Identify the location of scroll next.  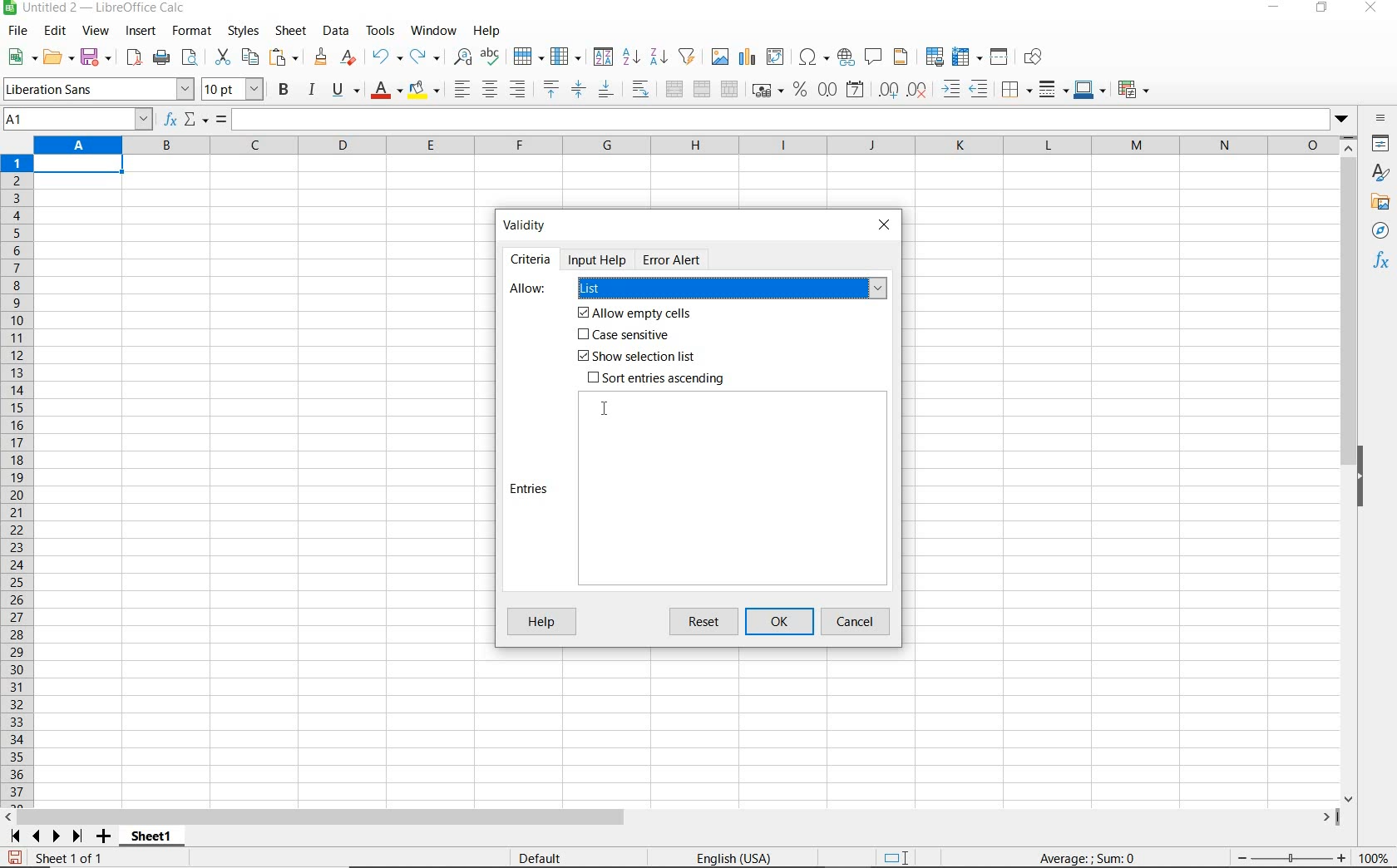
(42, 836).